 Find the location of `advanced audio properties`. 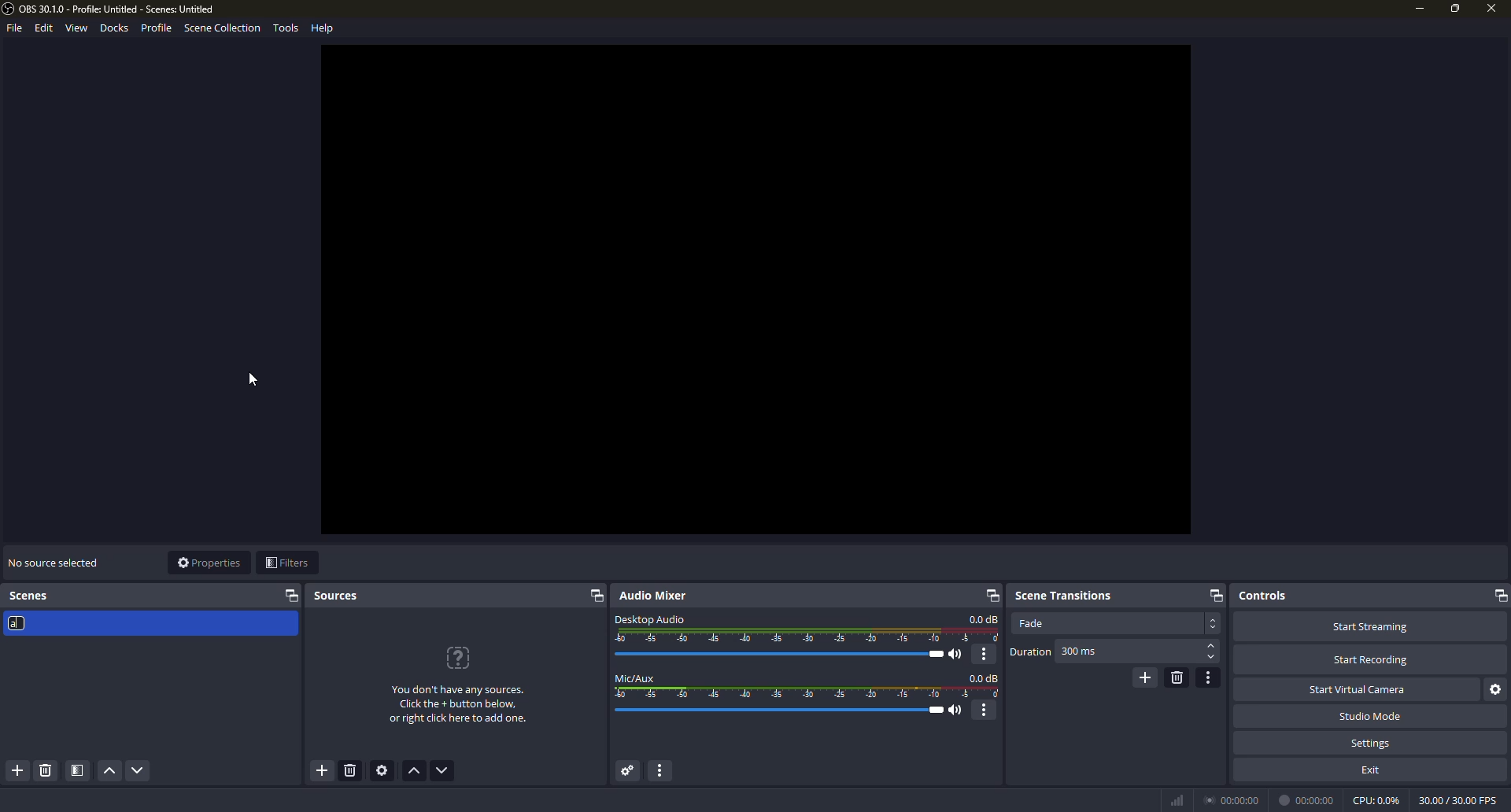

advanced audio properties is located at coordinates (626, 771).